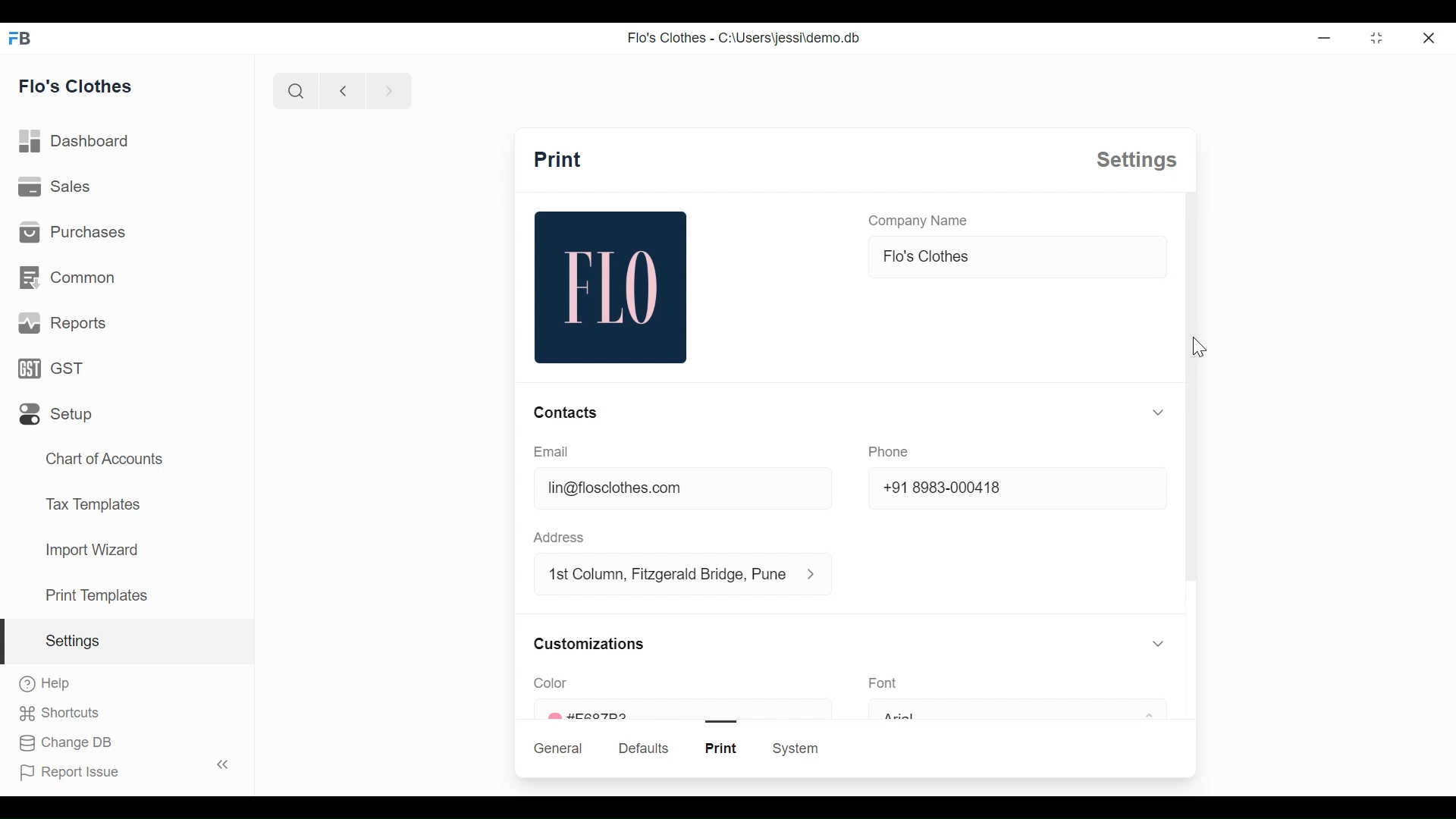  Describe the element at coordinates (1158, 412) in the screenshot. I see `toggle expand/collapse` at that location.